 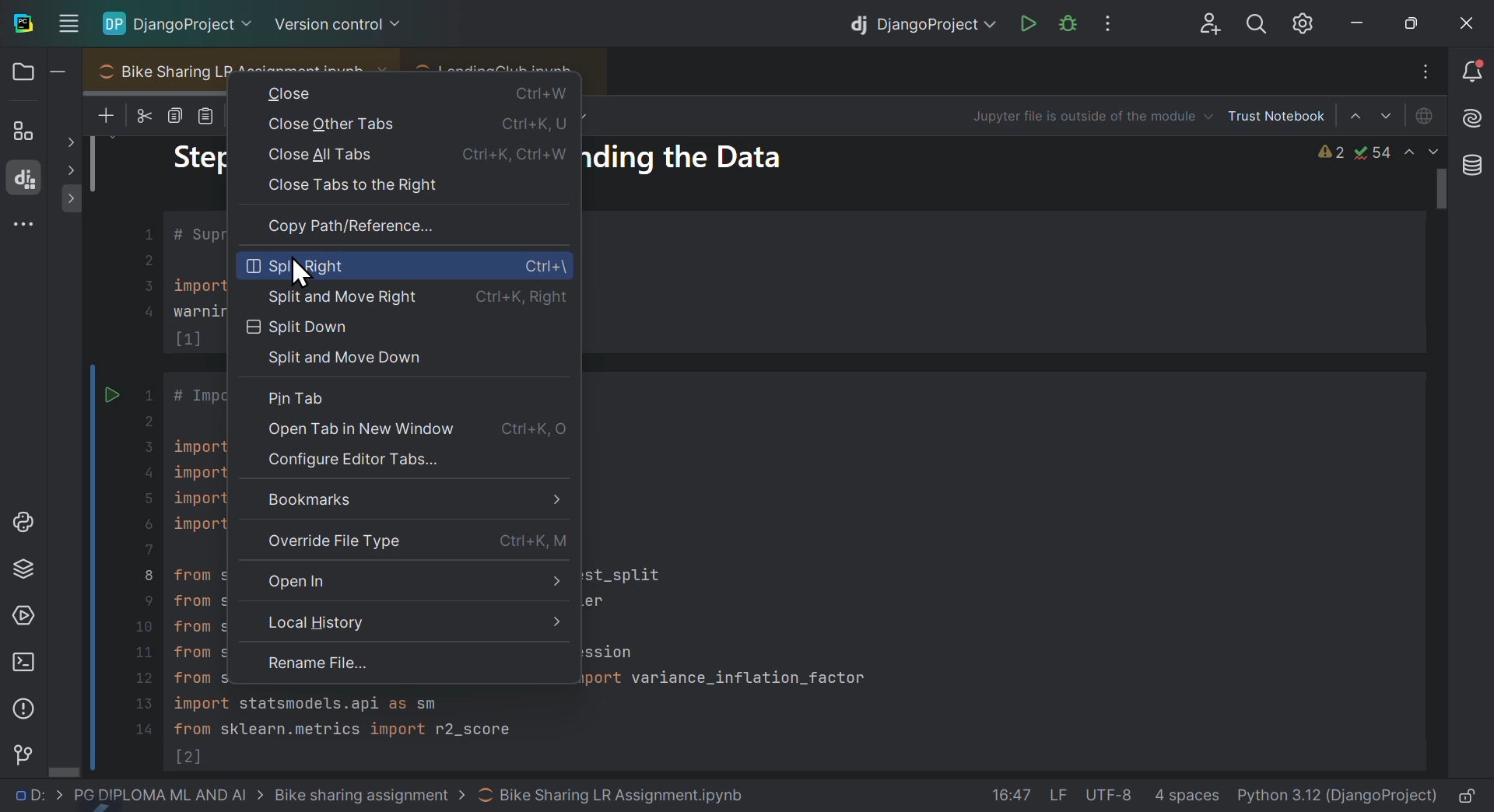 I want to click on Jupiter is offline, so click(x=1426, y=117).